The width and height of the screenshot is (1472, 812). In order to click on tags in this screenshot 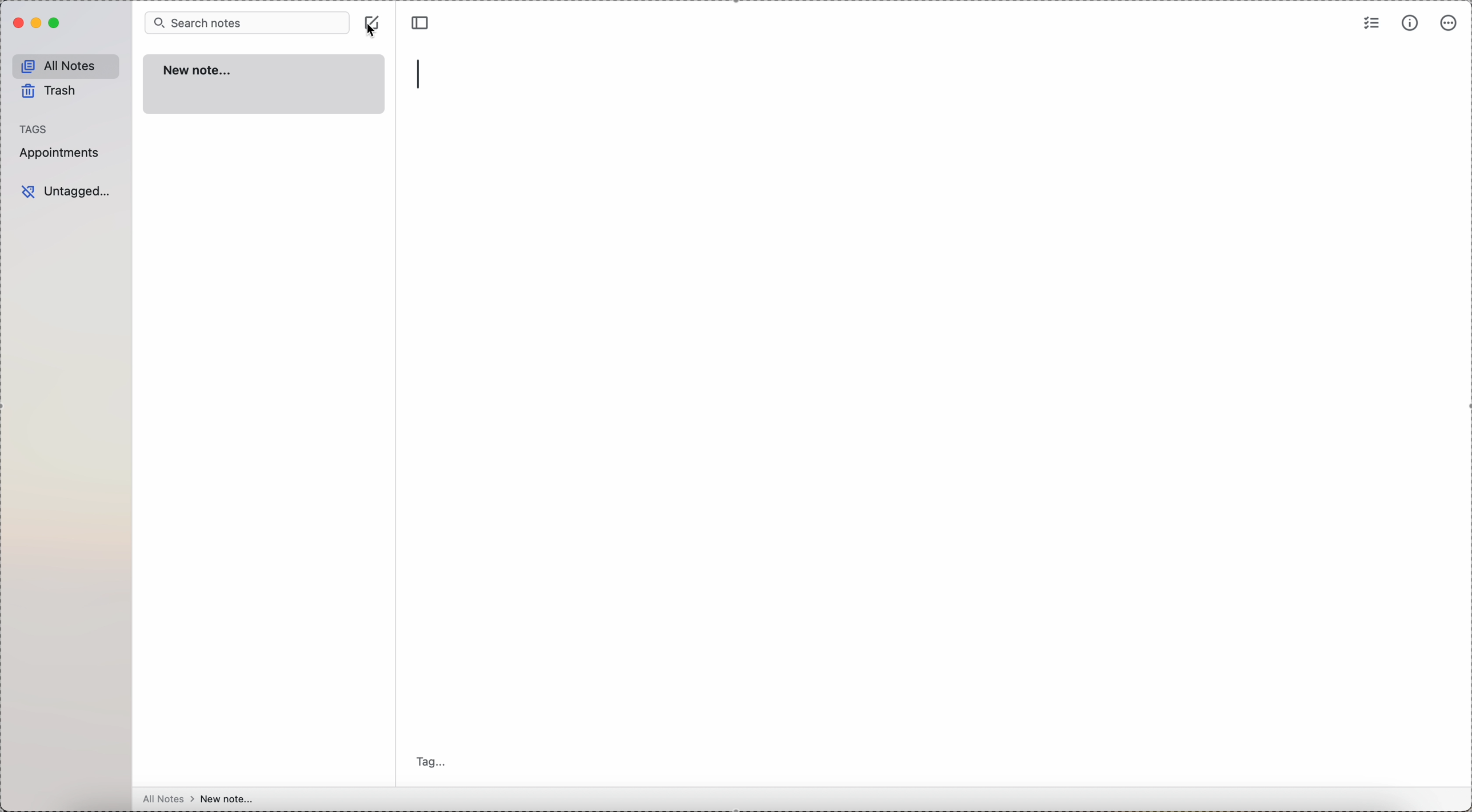, I will do `click(34, 129)`.